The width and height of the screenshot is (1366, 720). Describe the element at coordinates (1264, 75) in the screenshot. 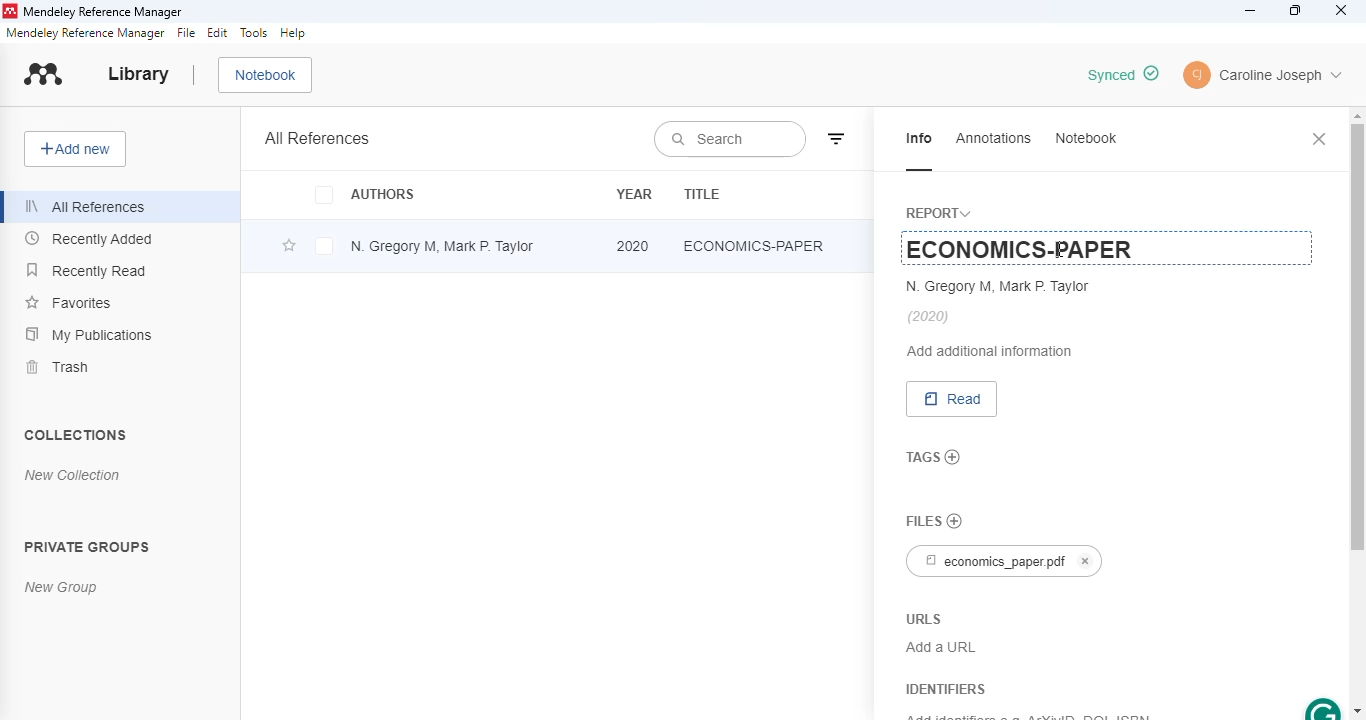

I see `profile` at that location.